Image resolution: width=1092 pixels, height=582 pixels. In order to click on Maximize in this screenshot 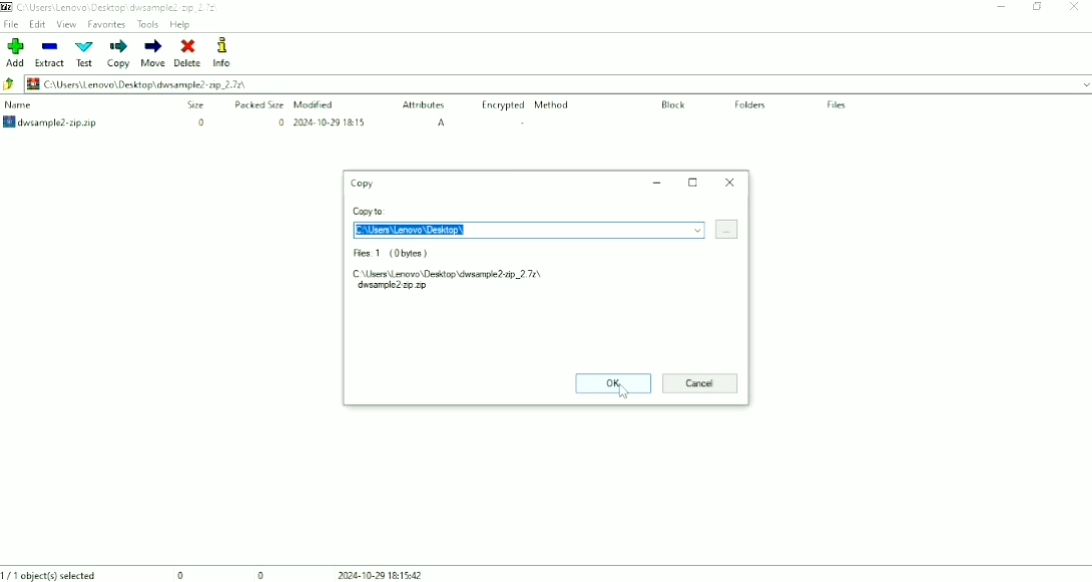, I will do `click(694, 182)`.